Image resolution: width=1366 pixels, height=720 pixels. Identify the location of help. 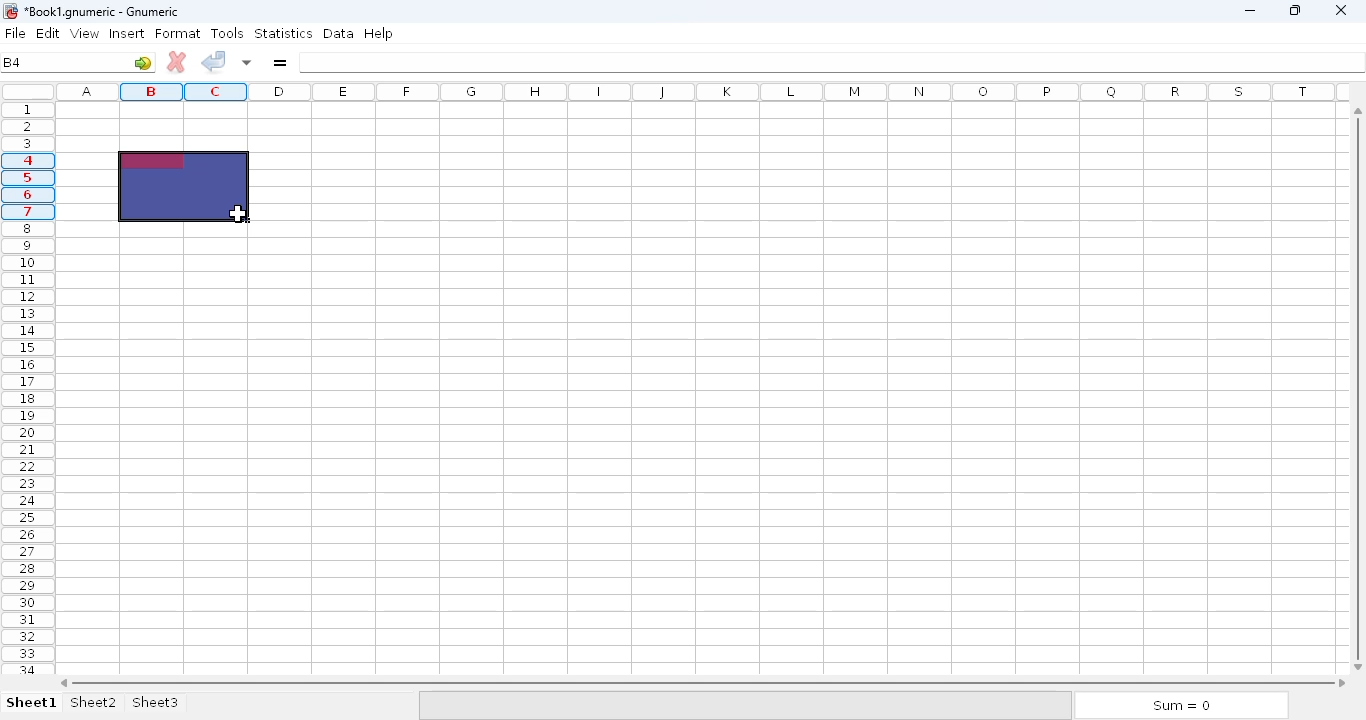
(378, 34).